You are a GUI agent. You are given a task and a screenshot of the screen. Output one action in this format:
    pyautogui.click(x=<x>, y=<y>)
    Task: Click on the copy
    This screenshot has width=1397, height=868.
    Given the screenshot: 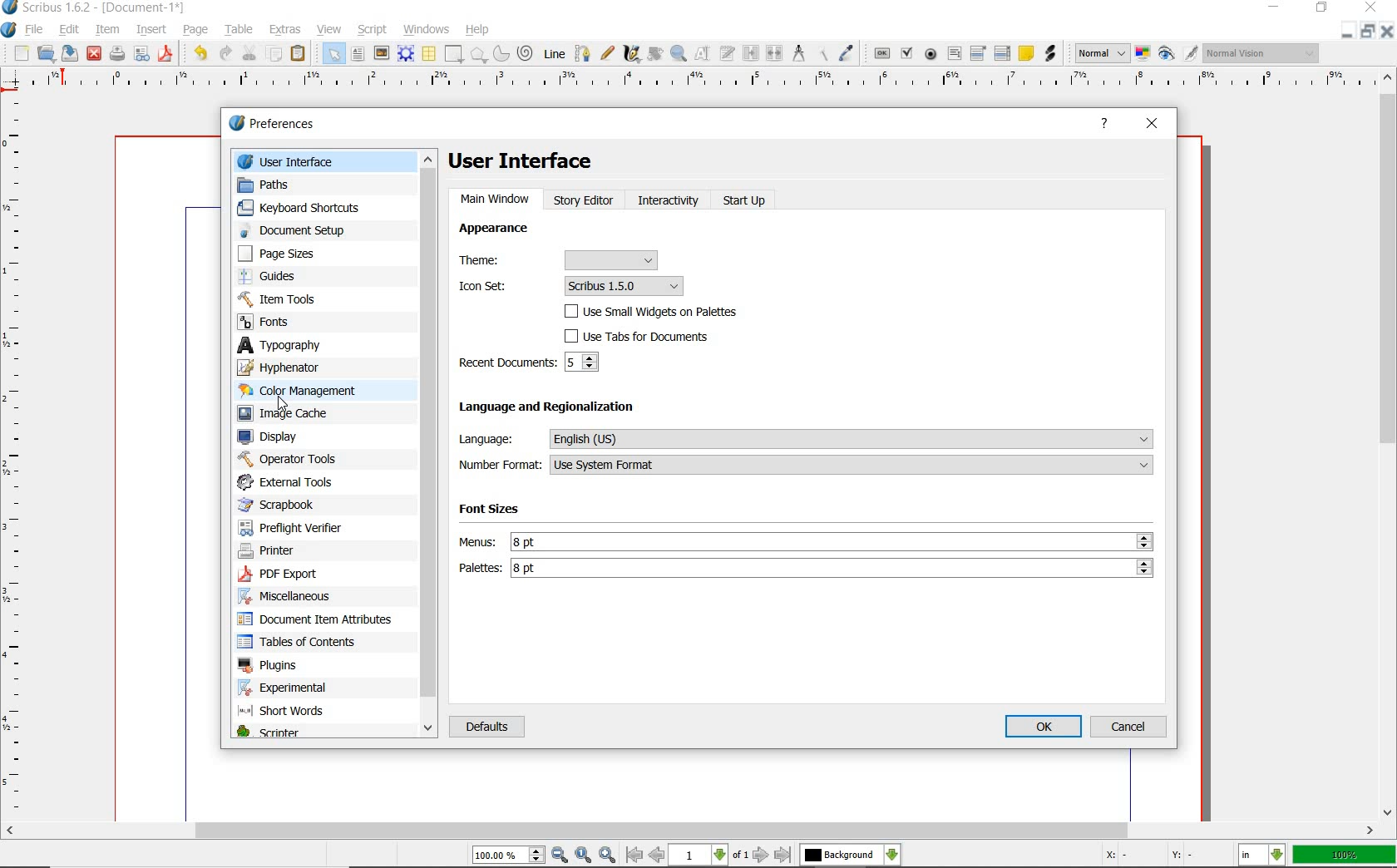 What is the action you would take?
    pyautogui.click(x=274, y=55)
    